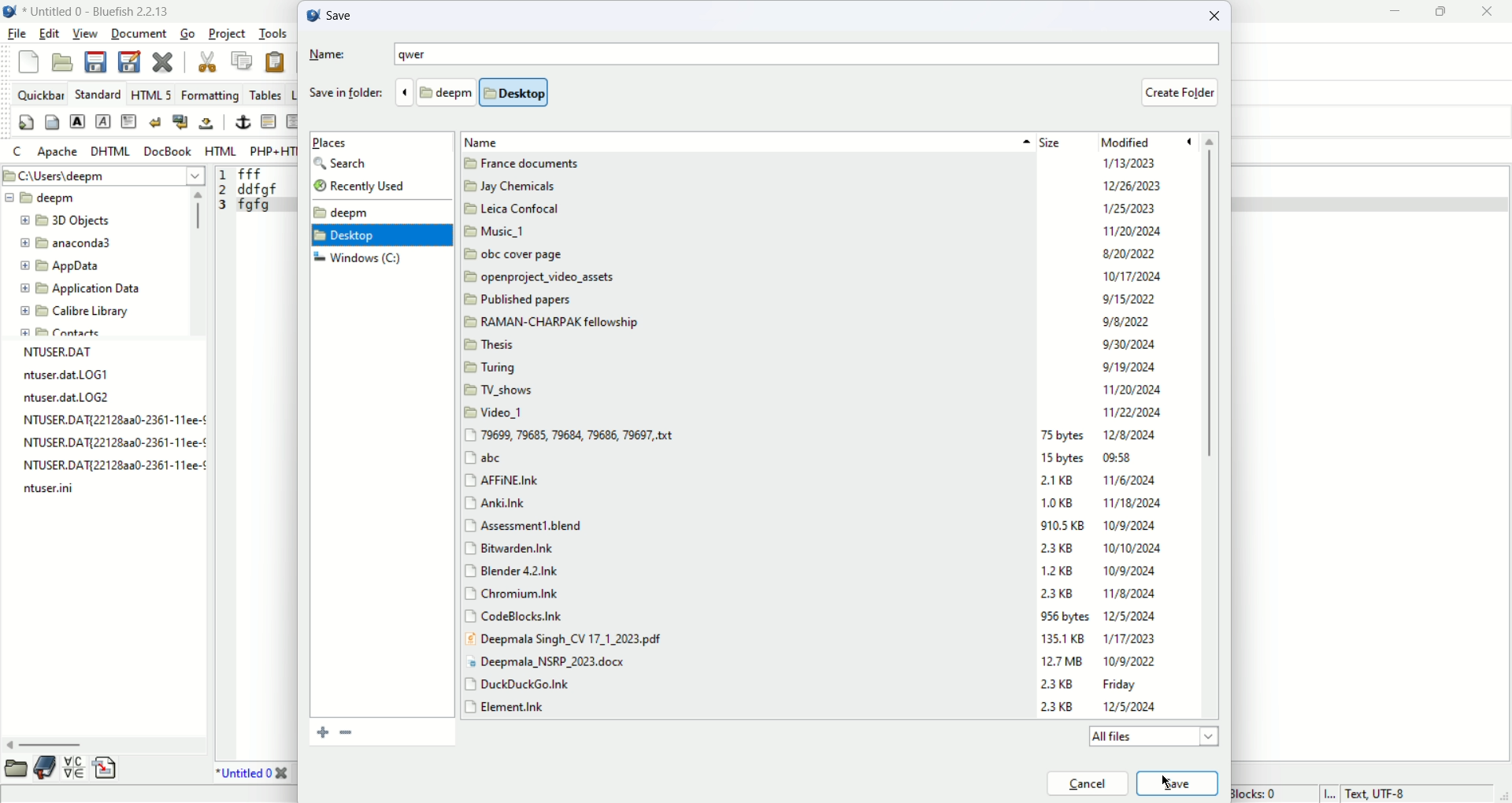 This screenshot has width=1512, height=803. What do you see at coordinates (225, 32) in the screenshot?
I see `project` at bounding box center [225, 32].